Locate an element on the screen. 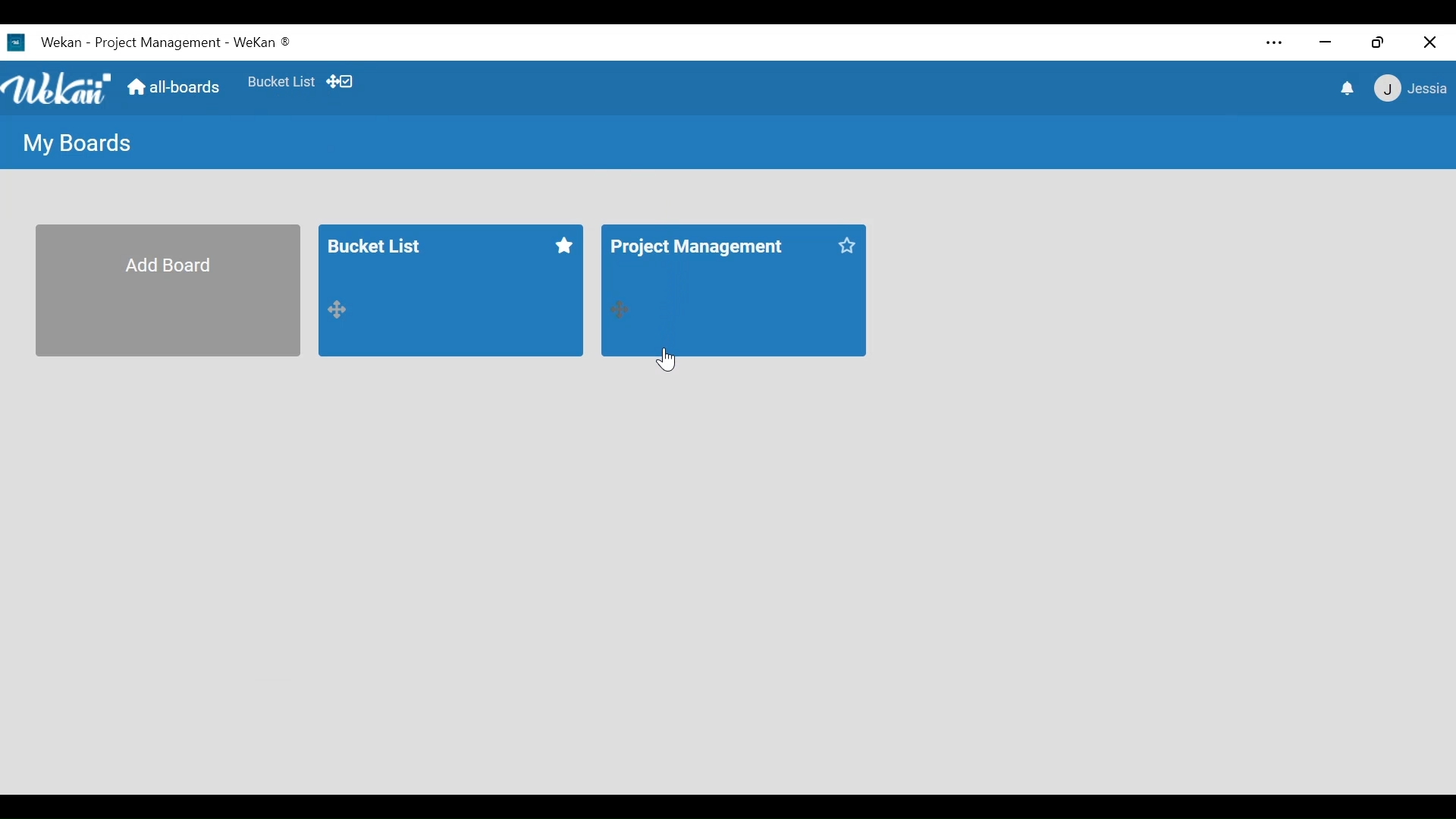 Image resolution: width=1456 pixels, height=819 pixels. Close is located at coordinates (1427, 42).